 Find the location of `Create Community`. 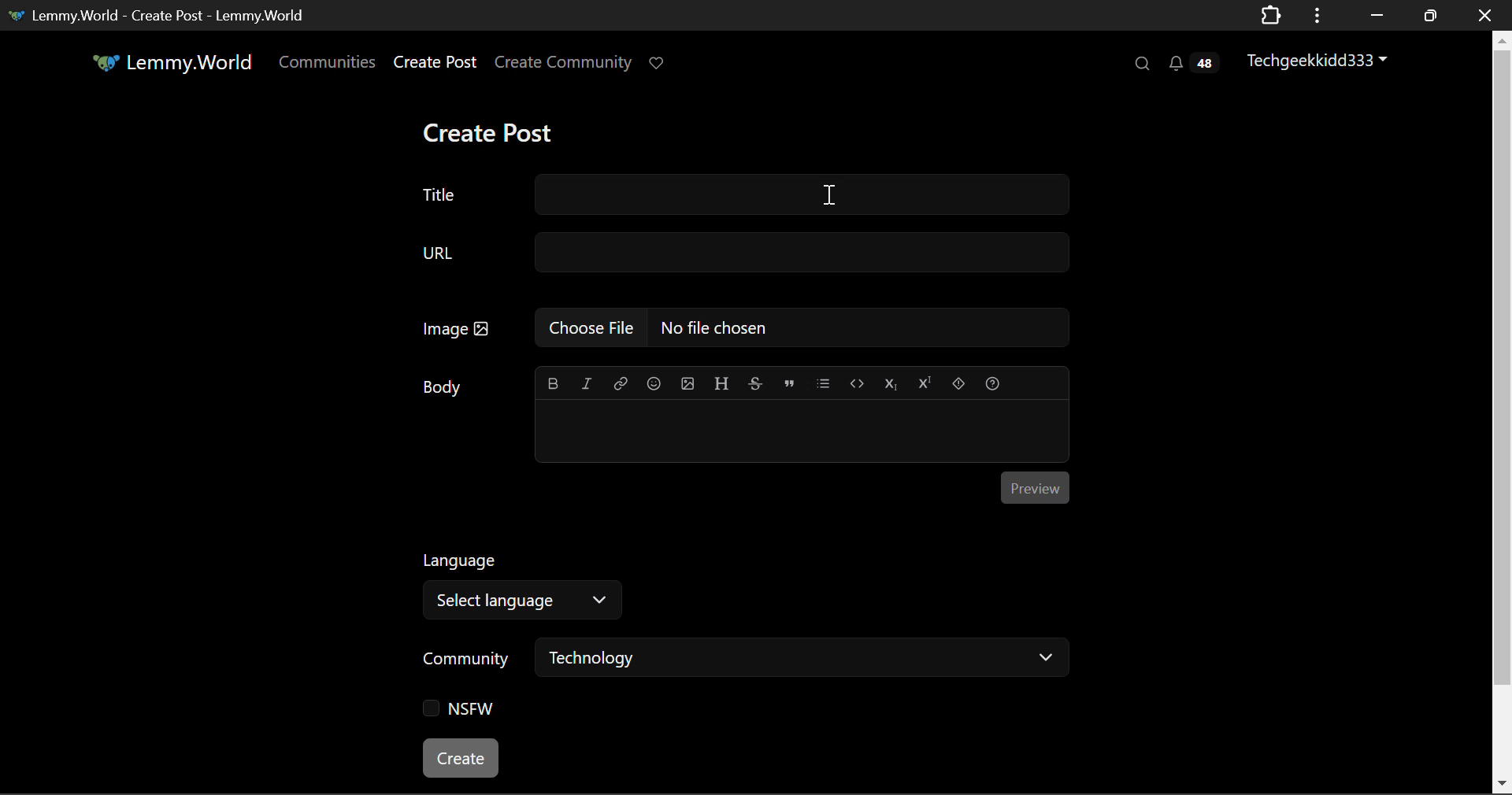

Create Community is located at coordinates (563, 65).